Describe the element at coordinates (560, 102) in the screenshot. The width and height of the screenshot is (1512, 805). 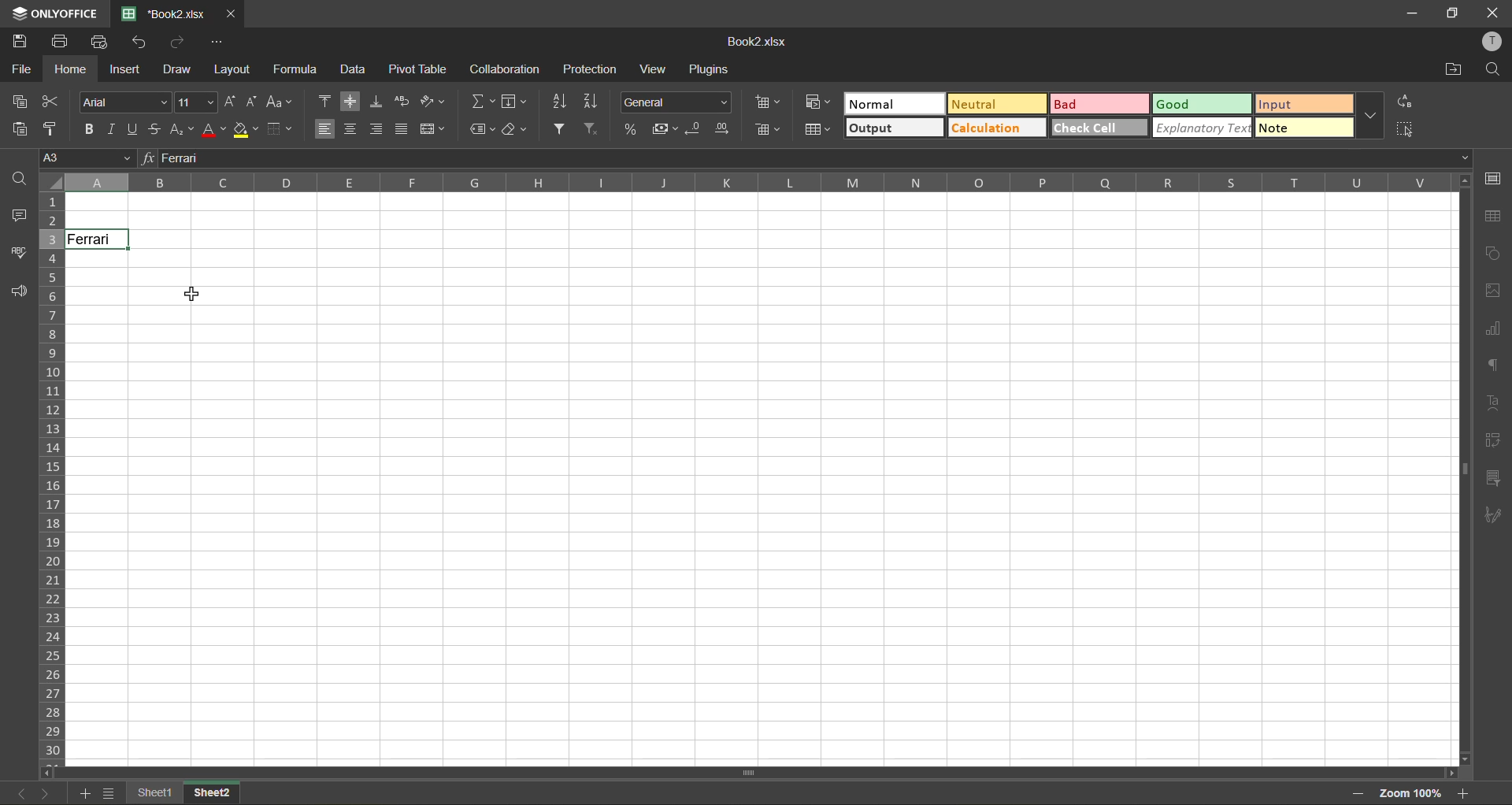
I see `sort ascending` at that location.